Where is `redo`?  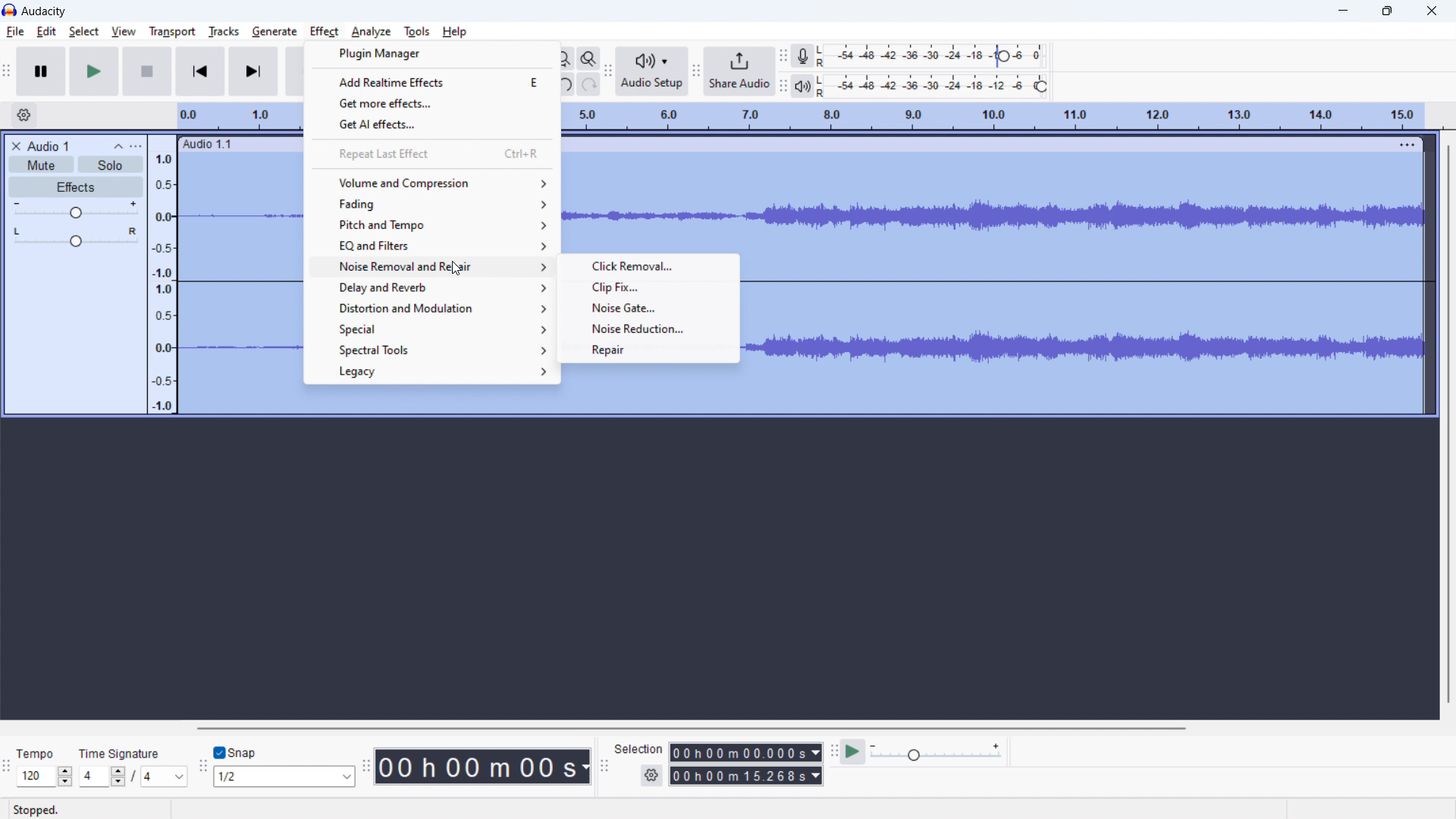 redo is located at coordinates (589, 83).